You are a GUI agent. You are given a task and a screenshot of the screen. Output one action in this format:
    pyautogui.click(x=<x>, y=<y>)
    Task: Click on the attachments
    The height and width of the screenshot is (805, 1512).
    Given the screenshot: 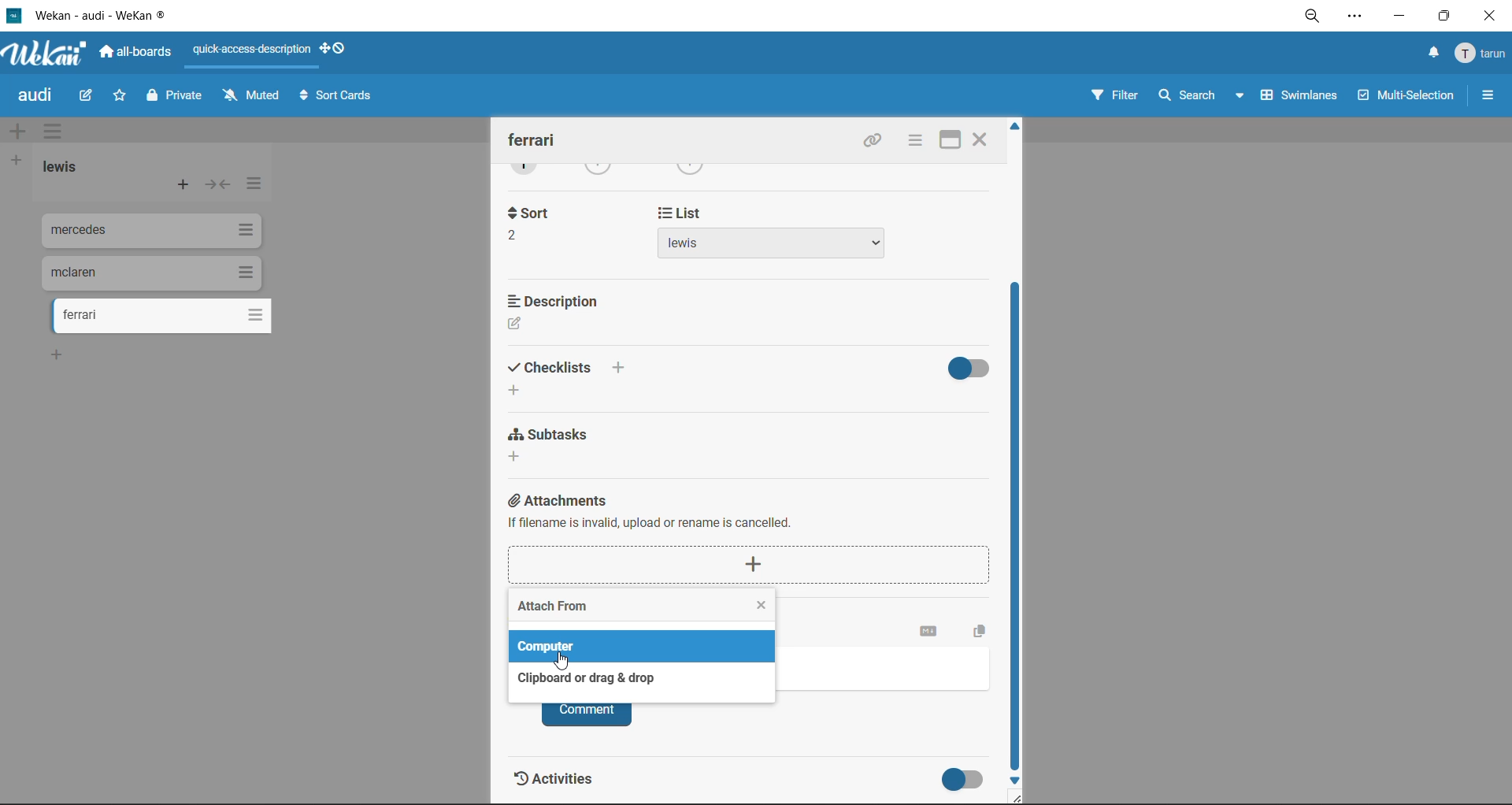 What is the action you would take?
    pyautogui.click(x=756, y=540)
    